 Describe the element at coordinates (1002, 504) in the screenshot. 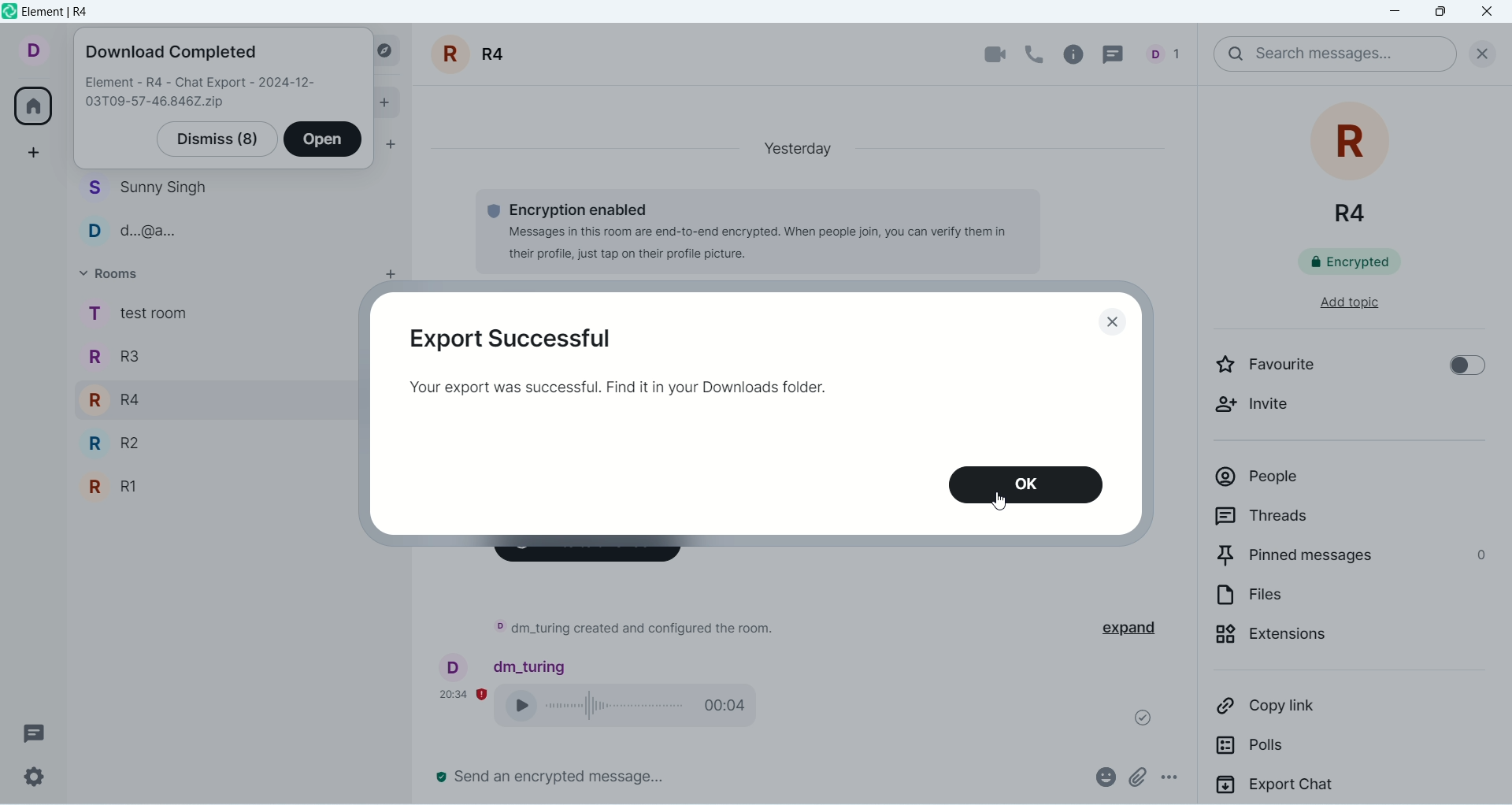

I see `pointer cursor` at that location.